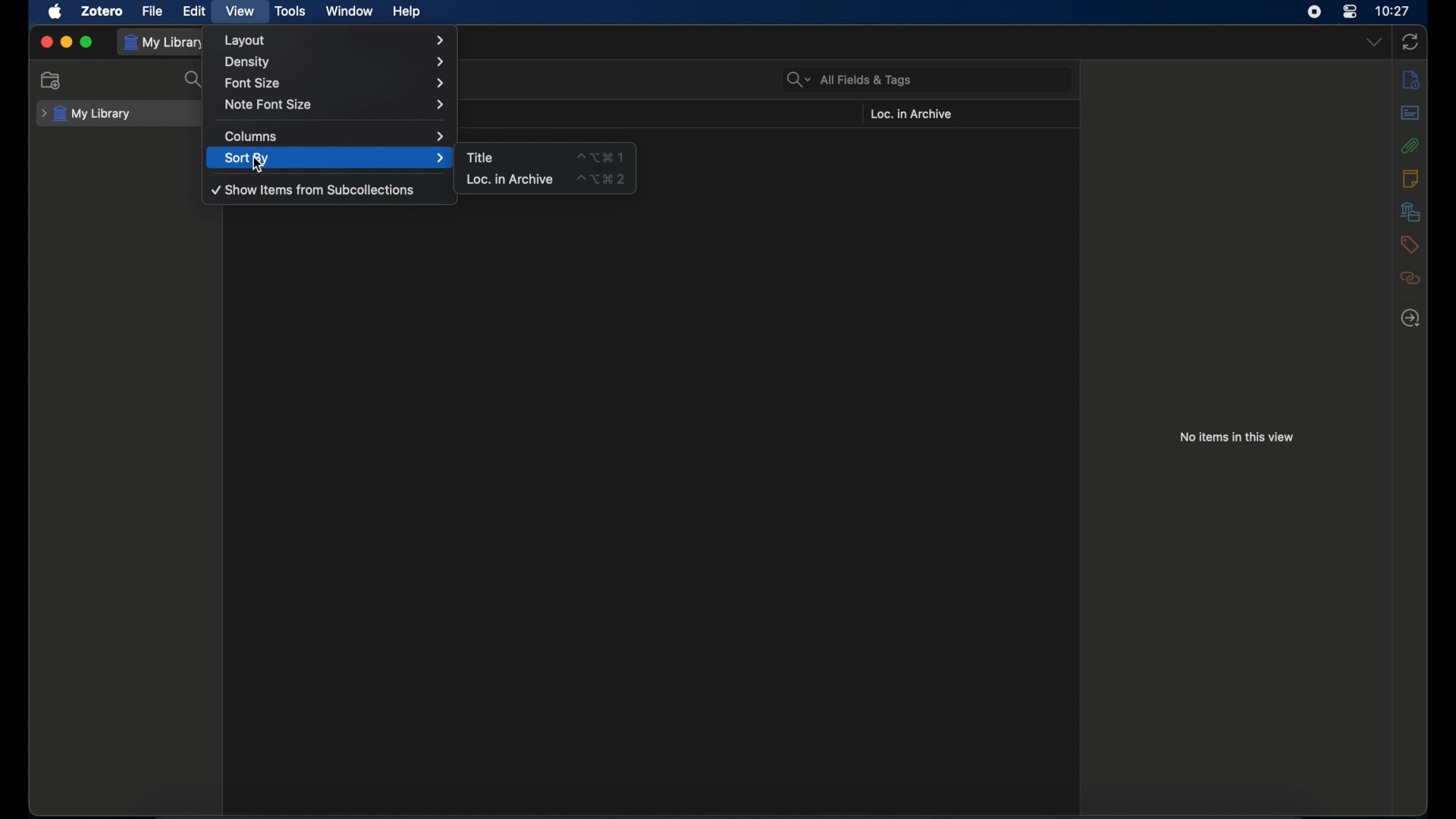 The height and width of the screenshot is (819, 1456). What do you see at coordinates (1411, 278) in the screenshot?
I see `related` at bounding box center [1411, 278].